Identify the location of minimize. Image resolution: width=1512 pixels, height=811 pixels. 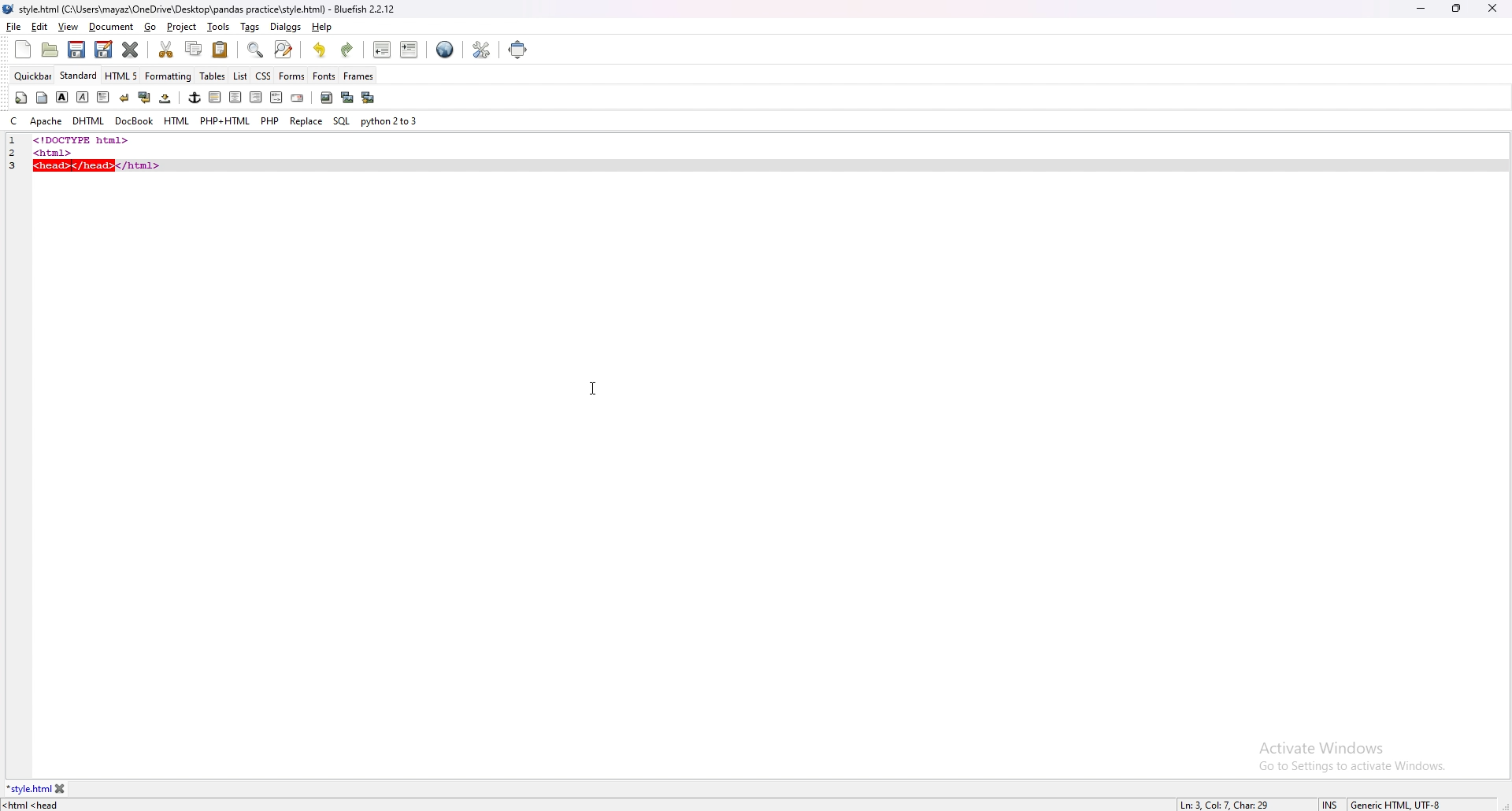
(1421, 9).